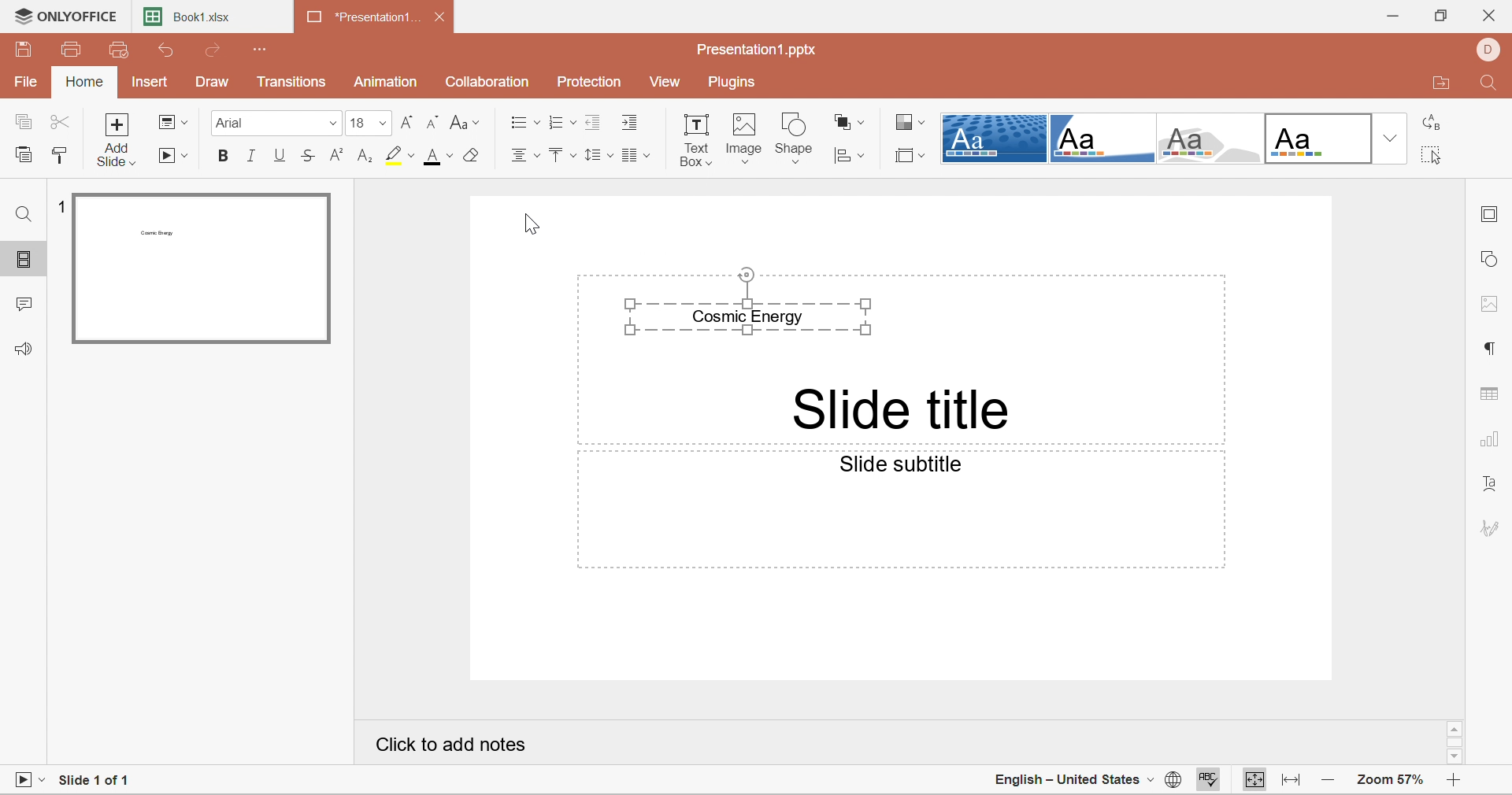  What do you see at coordinates (24, 49) in the screenshot?
I see `Save` at bounding box center [24, 49].